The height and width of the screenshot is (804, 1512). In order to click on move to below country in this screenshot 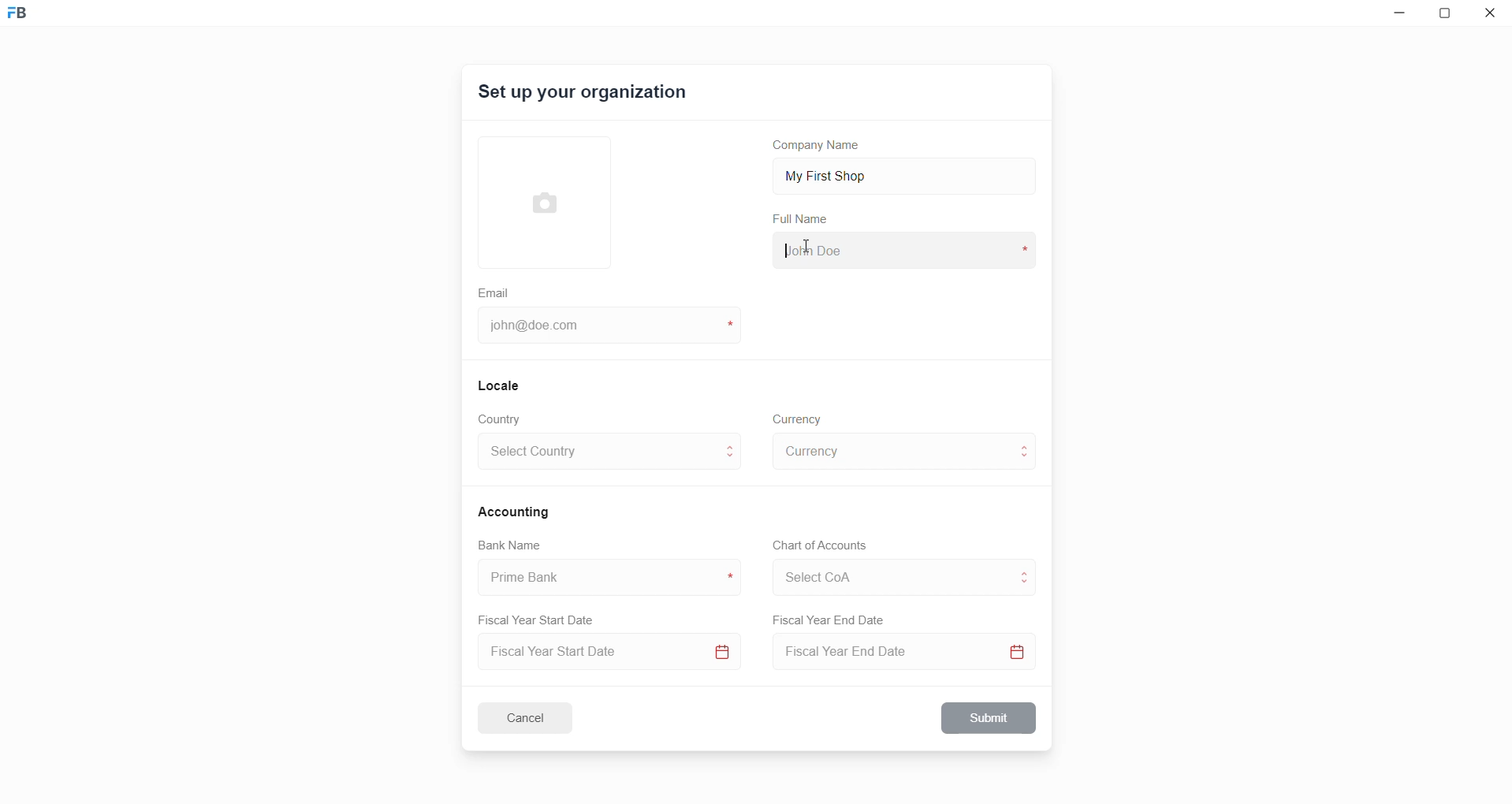, I will do `click(733, 461)`.